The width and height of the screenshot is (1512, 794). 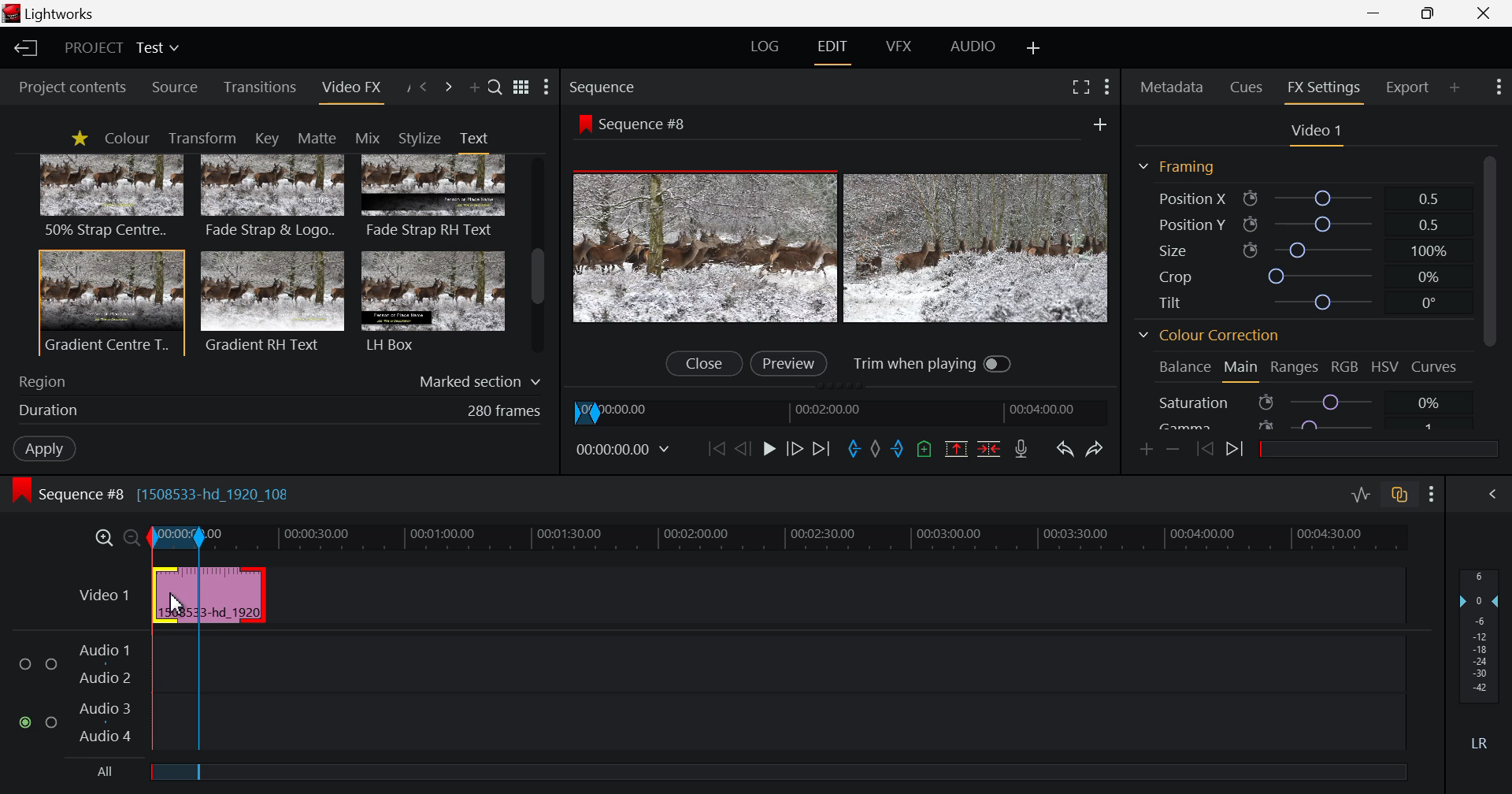 What do you see at coordinates (538, 257) in the screenshot?
I see `Scroll Bar` at bounding box center [538, 257].